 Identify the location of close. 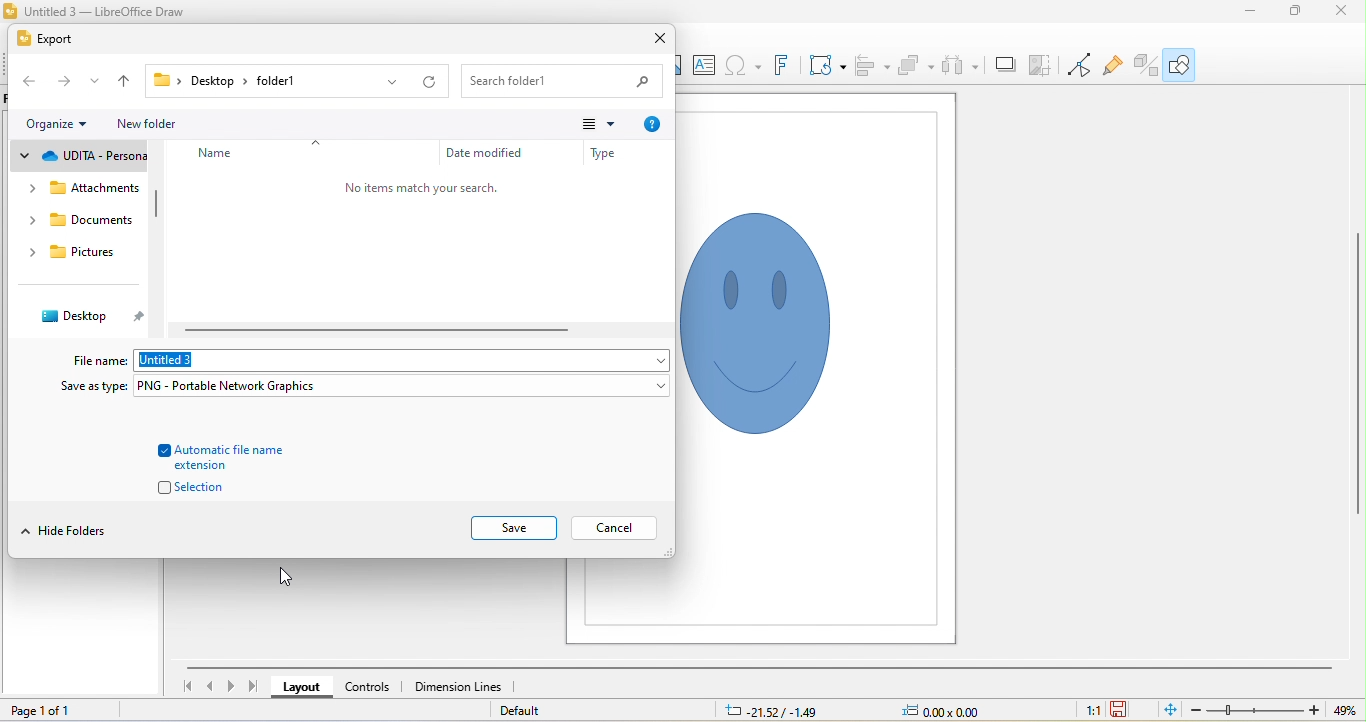
(1341, 15).